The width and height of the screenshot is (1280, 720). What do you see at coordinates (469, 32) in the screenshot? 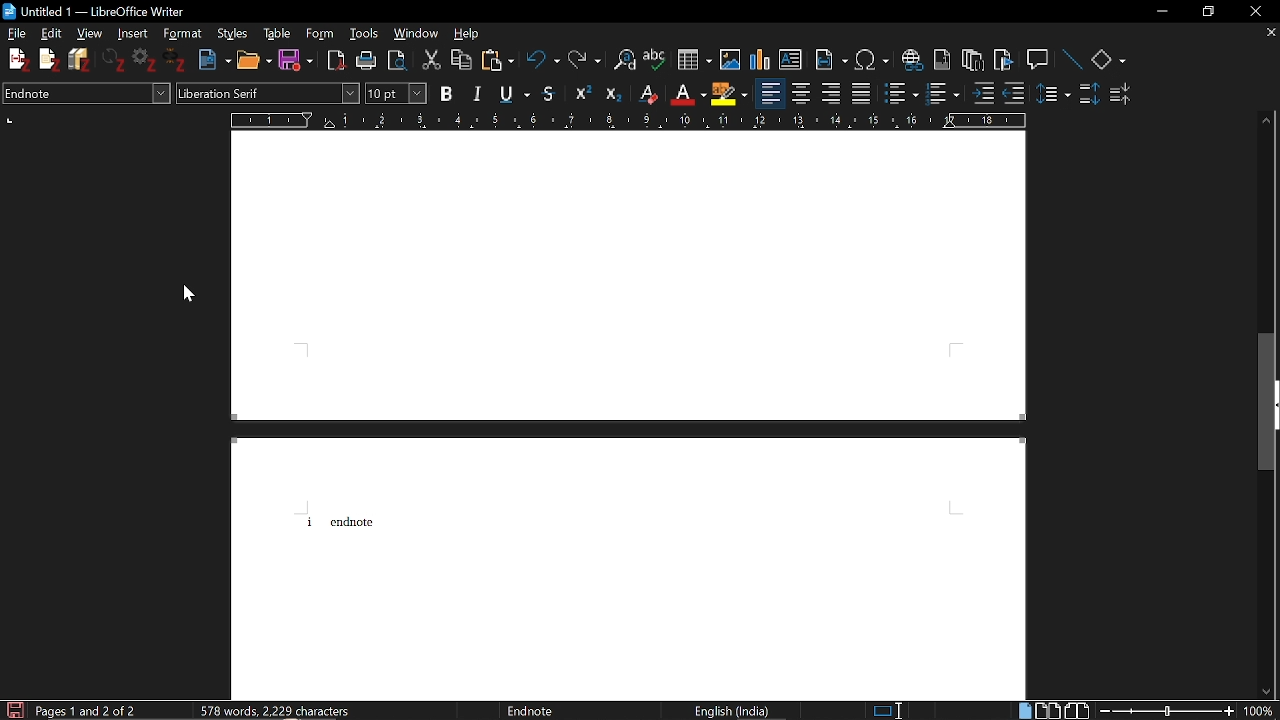
I see `help` at bounding box center [469, 32].